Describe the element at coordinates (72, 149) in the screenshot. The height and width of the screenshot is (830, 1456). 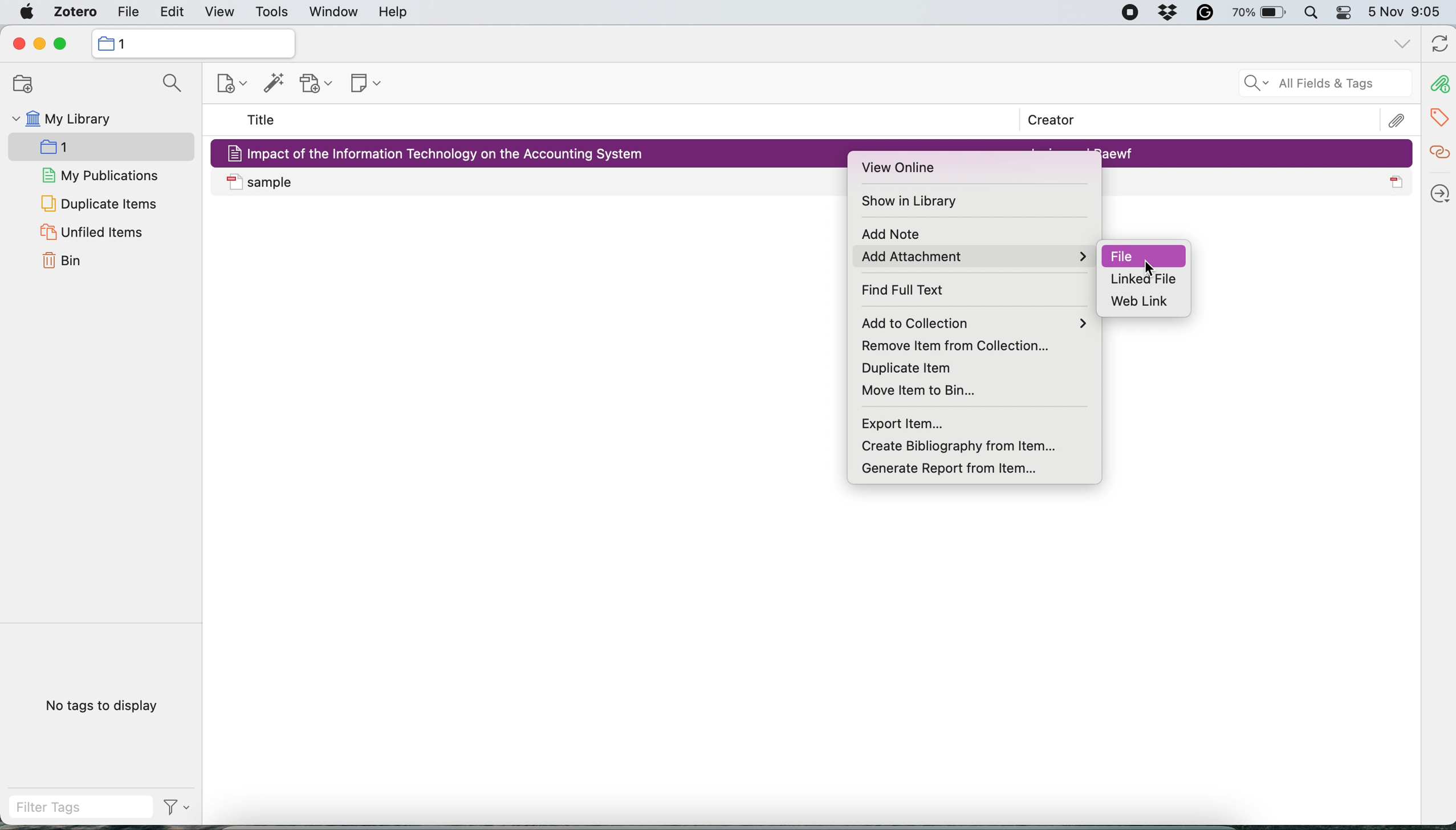
I see `1` at that location.